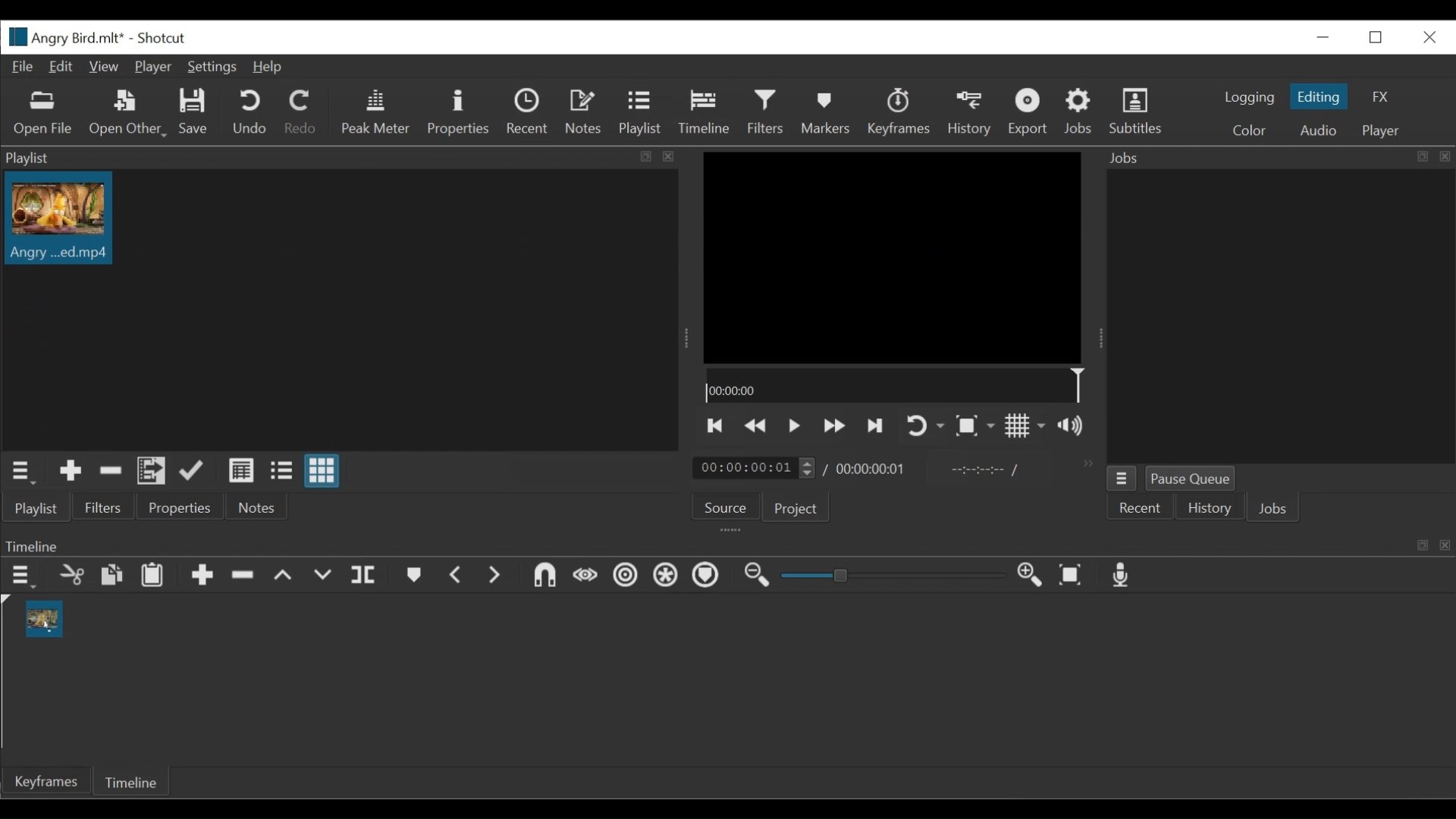  I want to click on View, so click(105, 67).